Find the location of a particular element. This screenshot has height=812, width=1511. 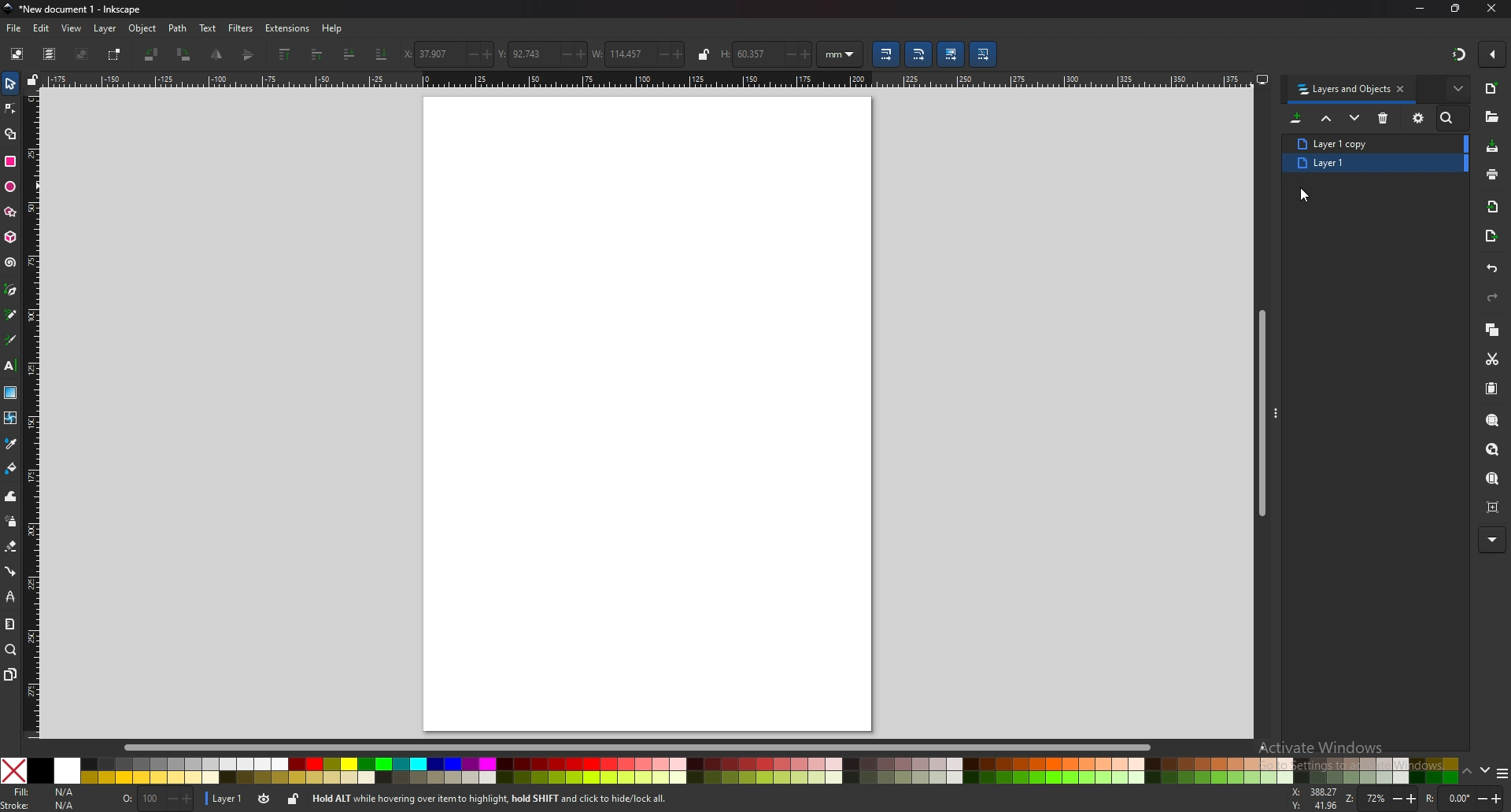

duplicate layer is located at coordinates (1360, 142).